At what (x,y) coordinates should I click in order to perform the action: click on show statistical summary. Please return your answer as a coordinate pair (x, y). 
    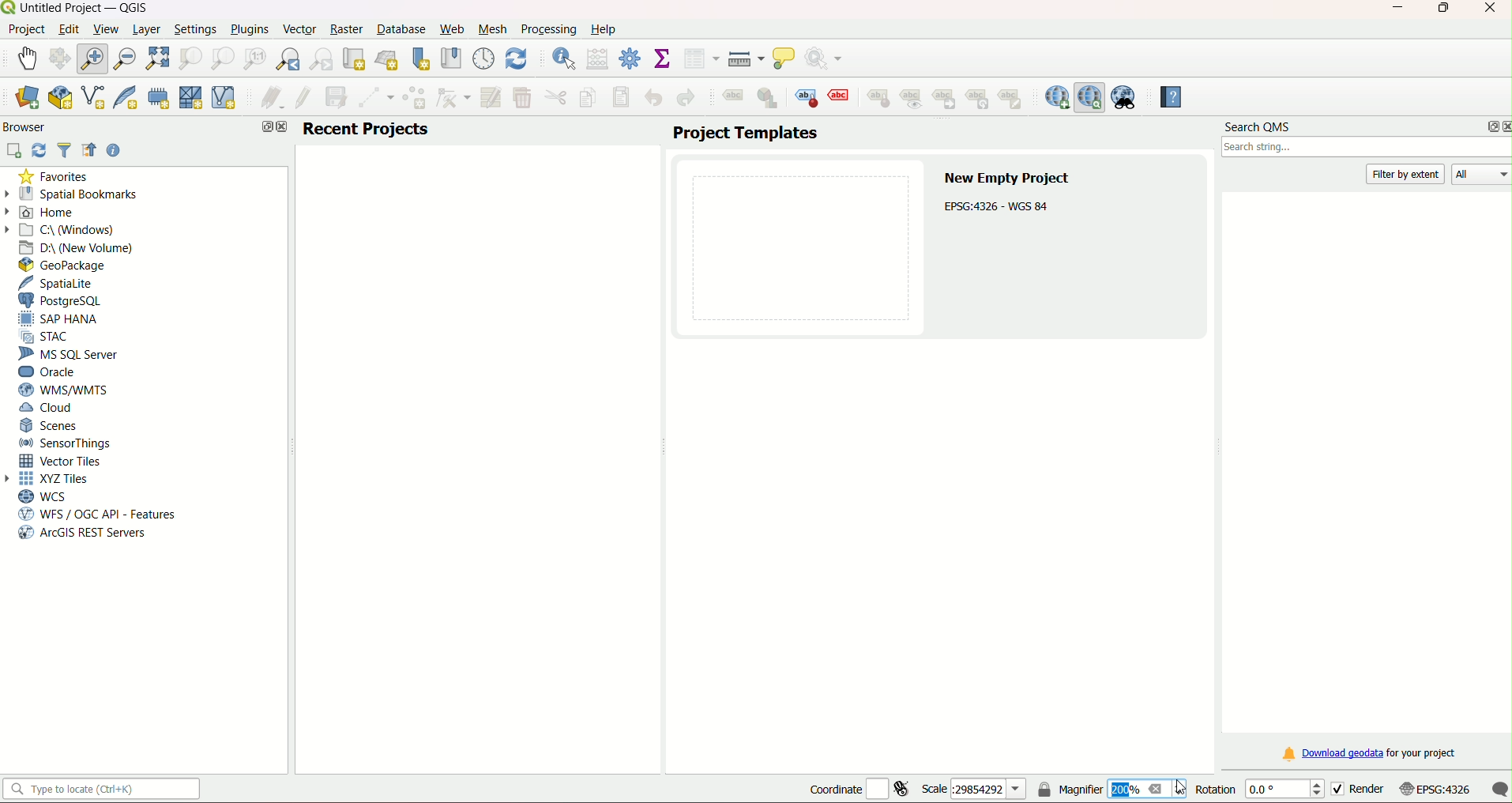
    Looking at the image, I should click on (663, 59).